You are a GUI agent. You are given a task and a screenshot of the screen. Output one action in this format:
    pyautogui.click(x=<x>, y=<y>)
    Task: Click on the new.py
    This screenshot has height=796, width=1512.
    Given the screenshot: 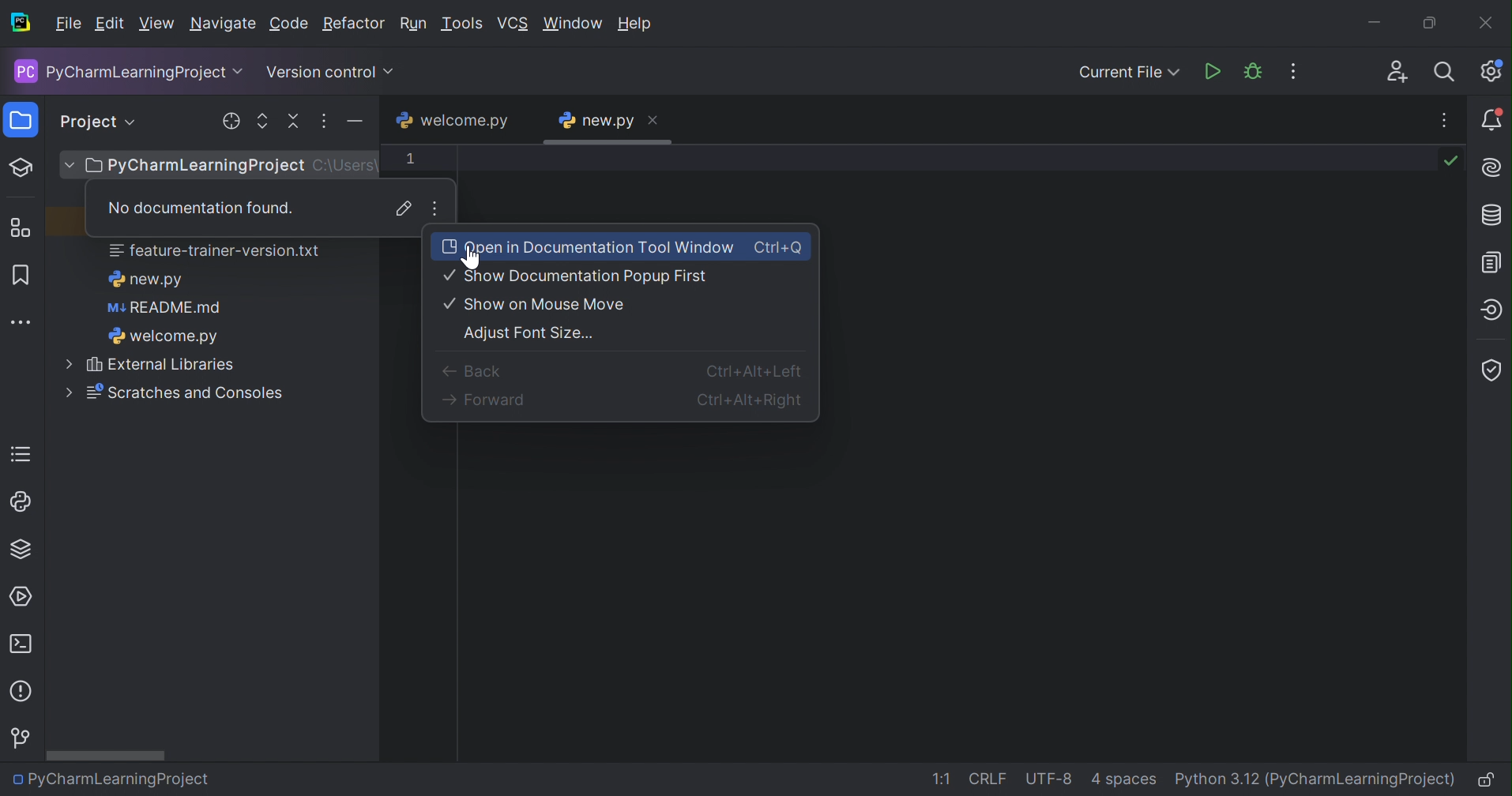 What is the action you would take?
    pyautogui.click(x=145, y=280)
    